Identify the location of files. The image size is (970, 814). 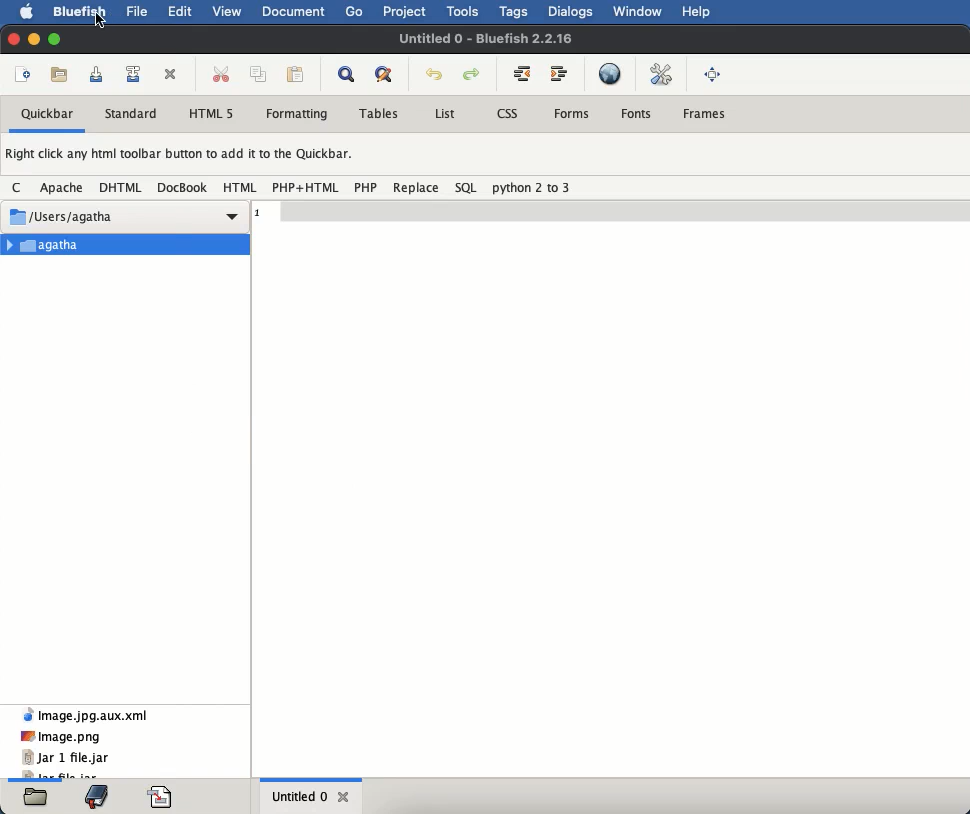
(36, 797).